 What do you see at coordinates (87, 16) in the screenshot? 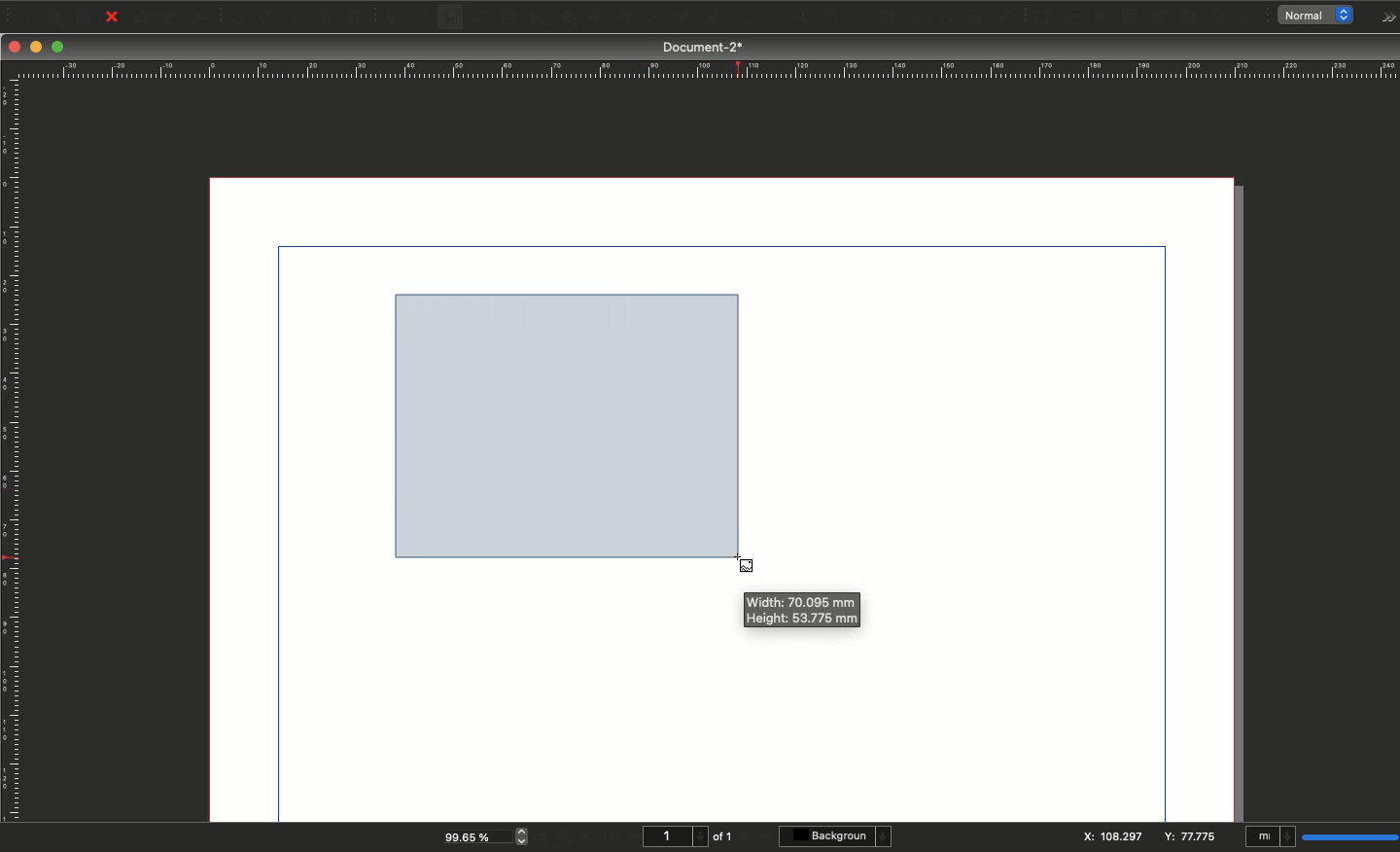
I see `Save` at bounding box center [87, 16].